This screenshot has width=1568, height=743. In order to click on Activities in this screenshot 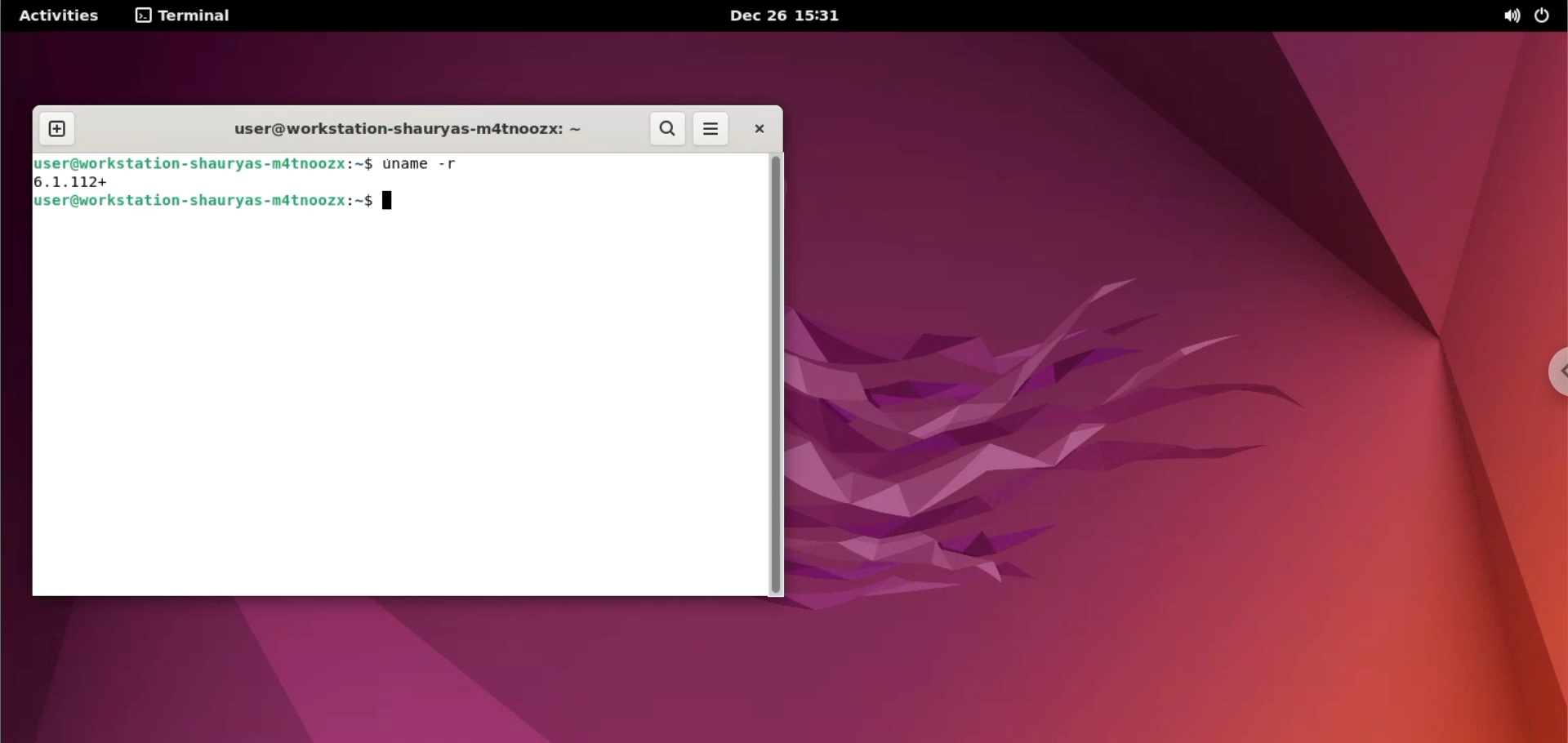, I will do `click(61, 15)`.